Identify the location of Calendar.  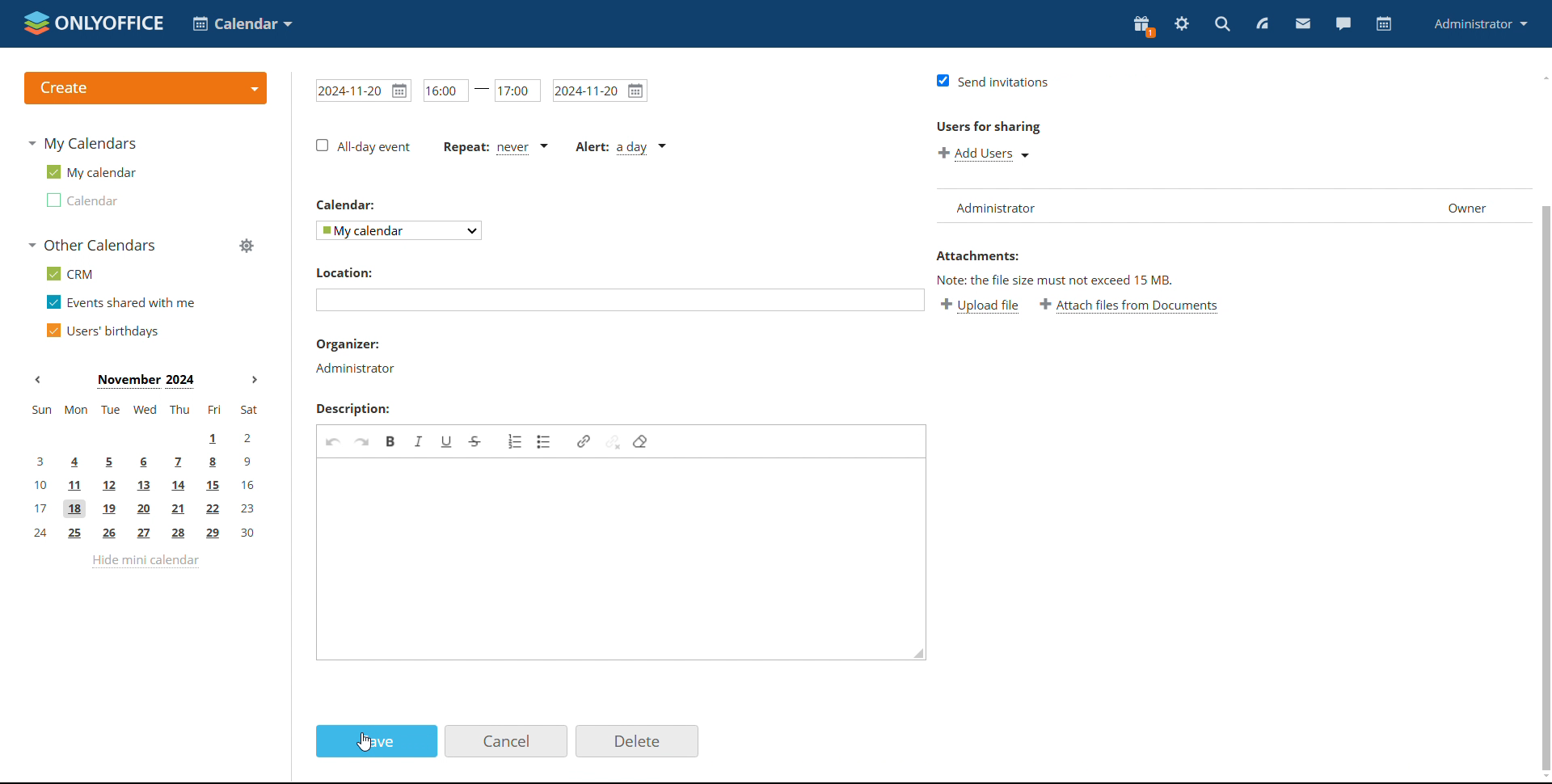
(346, 204).